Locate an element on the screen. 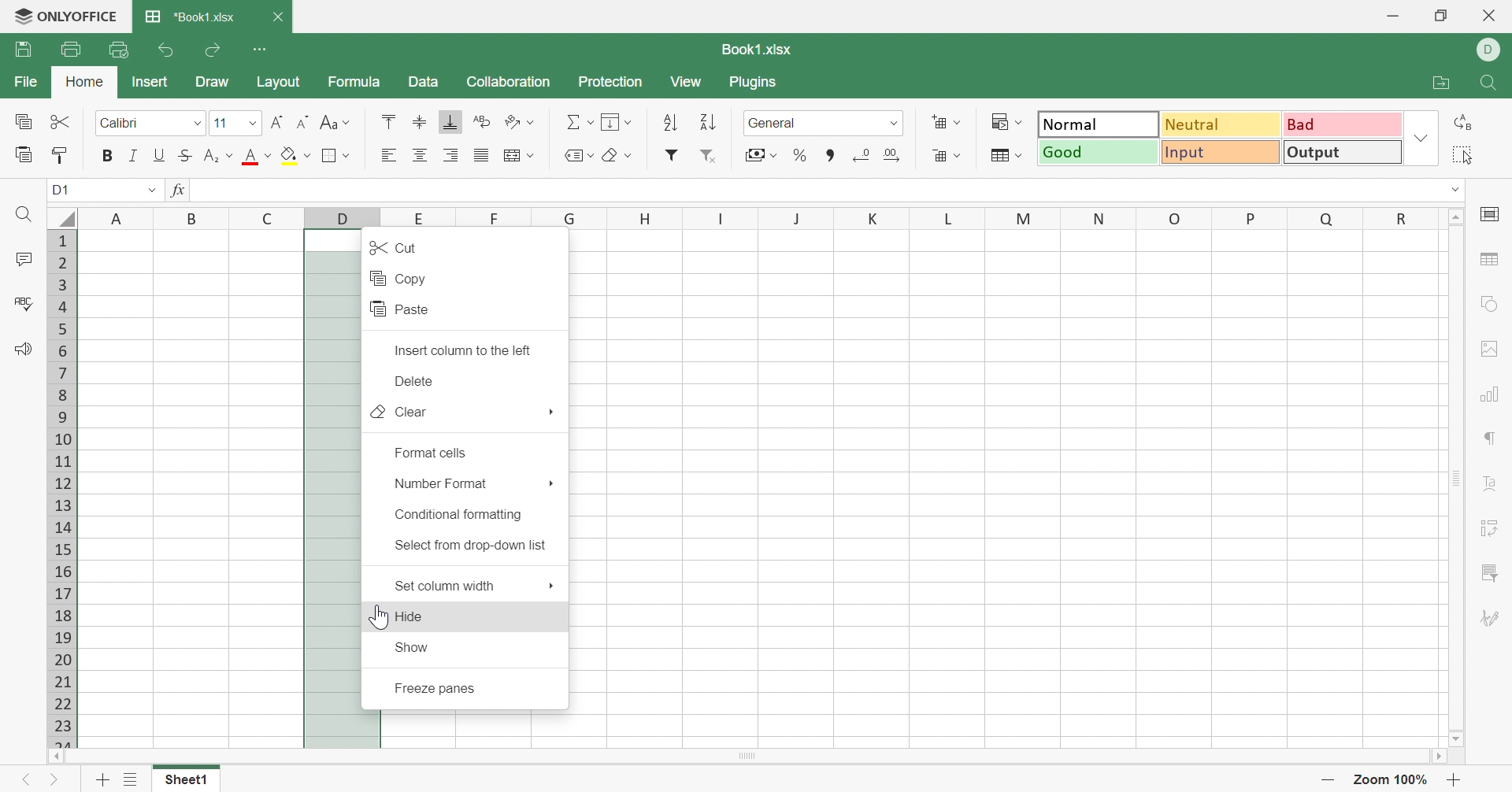 Image resolution: width=1512 pixels, height=792 pixels. Borders is located at coordinates (330, 157).